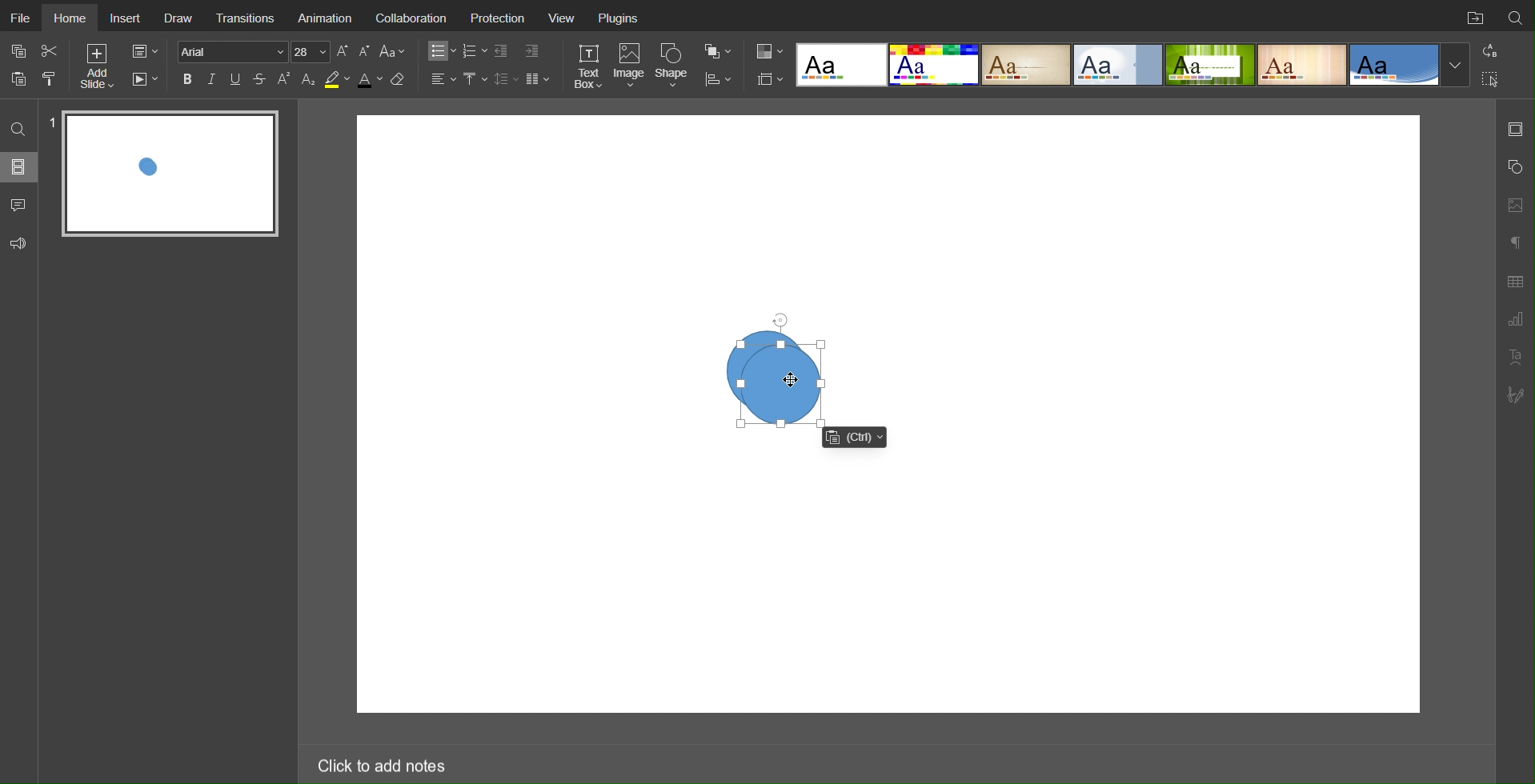  I want to click on Slide 1, so click(171, 174).